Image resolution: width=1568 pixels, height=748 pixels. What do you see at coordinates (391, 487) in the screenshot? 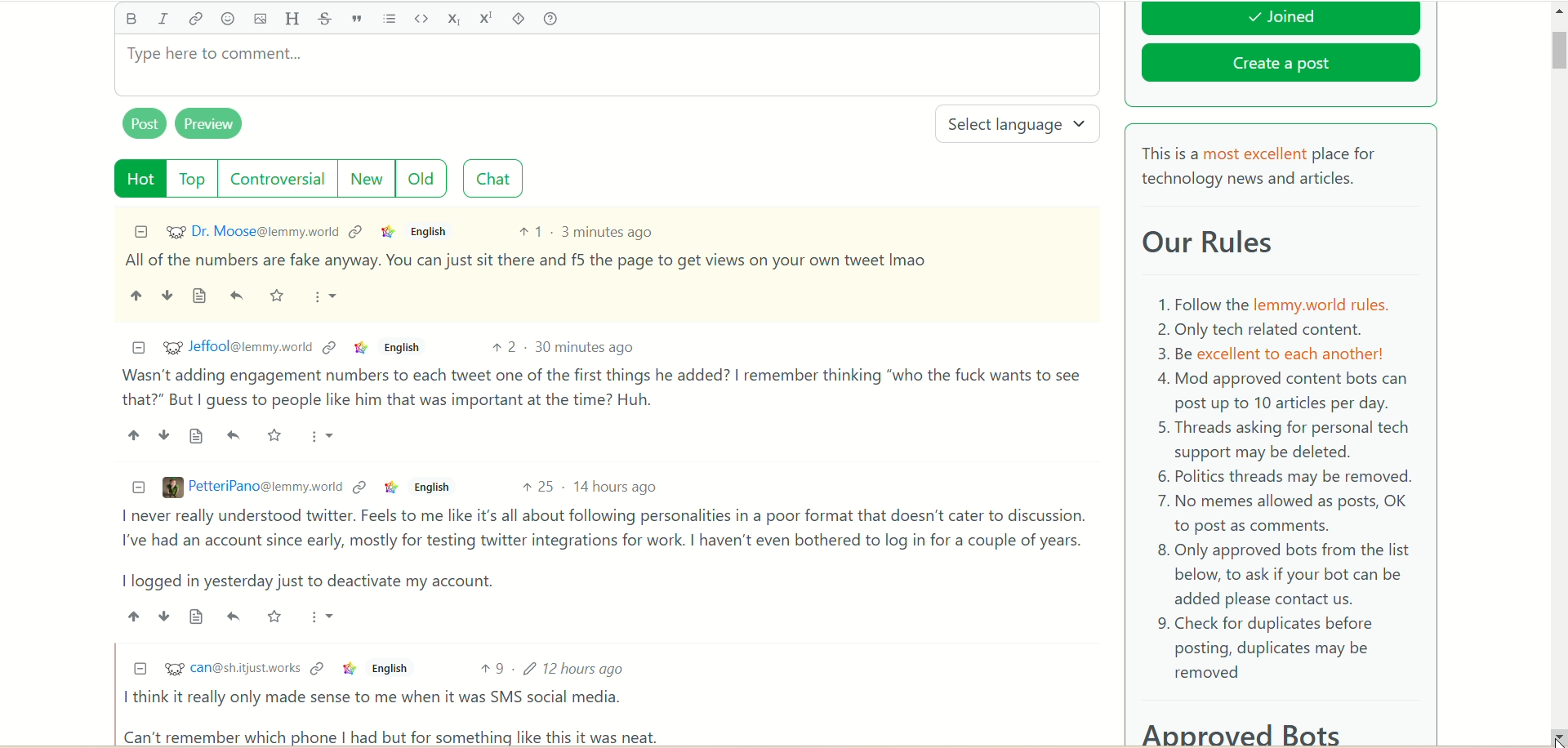
I see `Link` at bounding box center [391, 487].